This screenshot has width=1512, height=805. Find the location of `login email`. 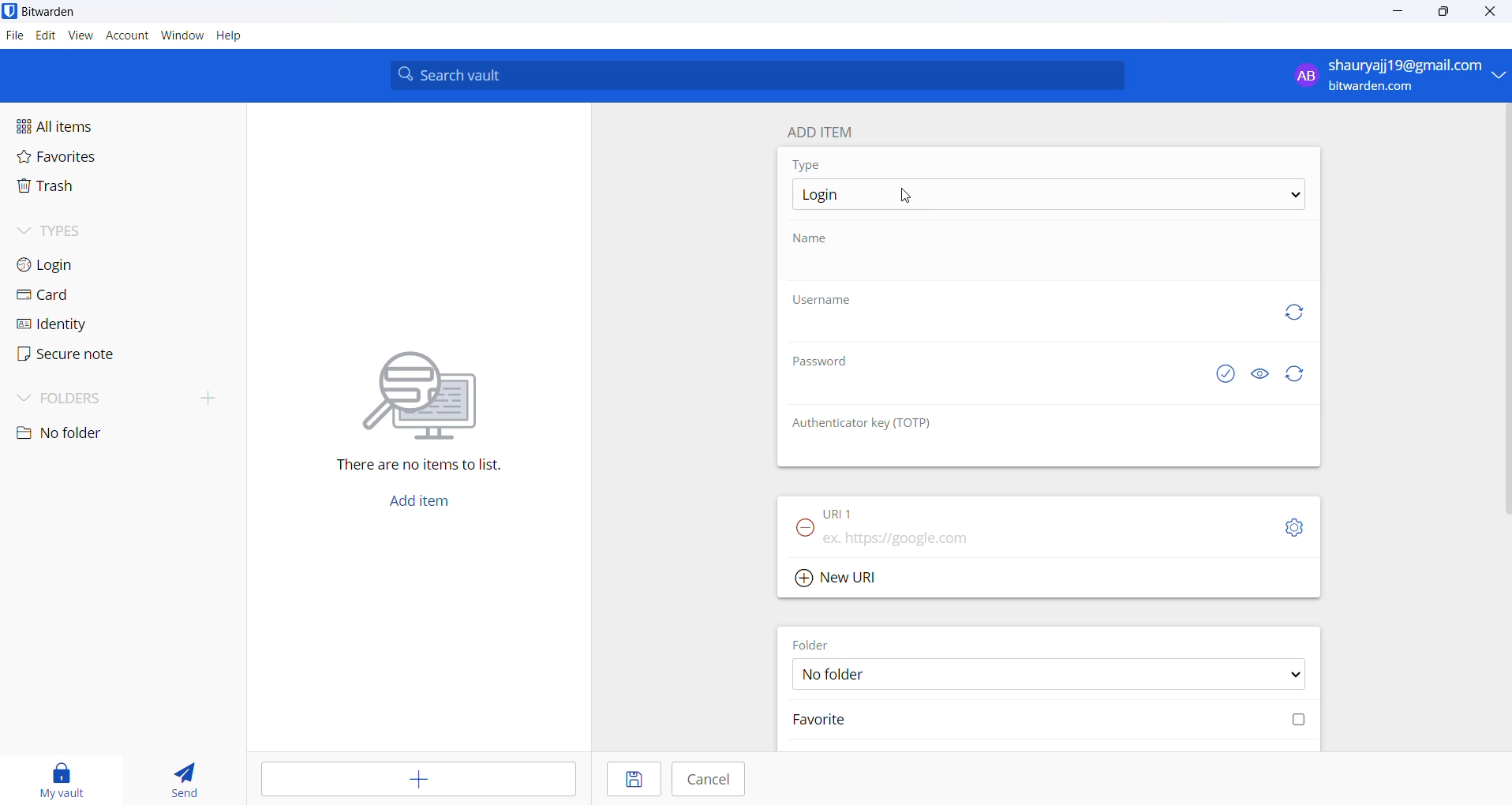

login email is located at coordinates (1386, 76).